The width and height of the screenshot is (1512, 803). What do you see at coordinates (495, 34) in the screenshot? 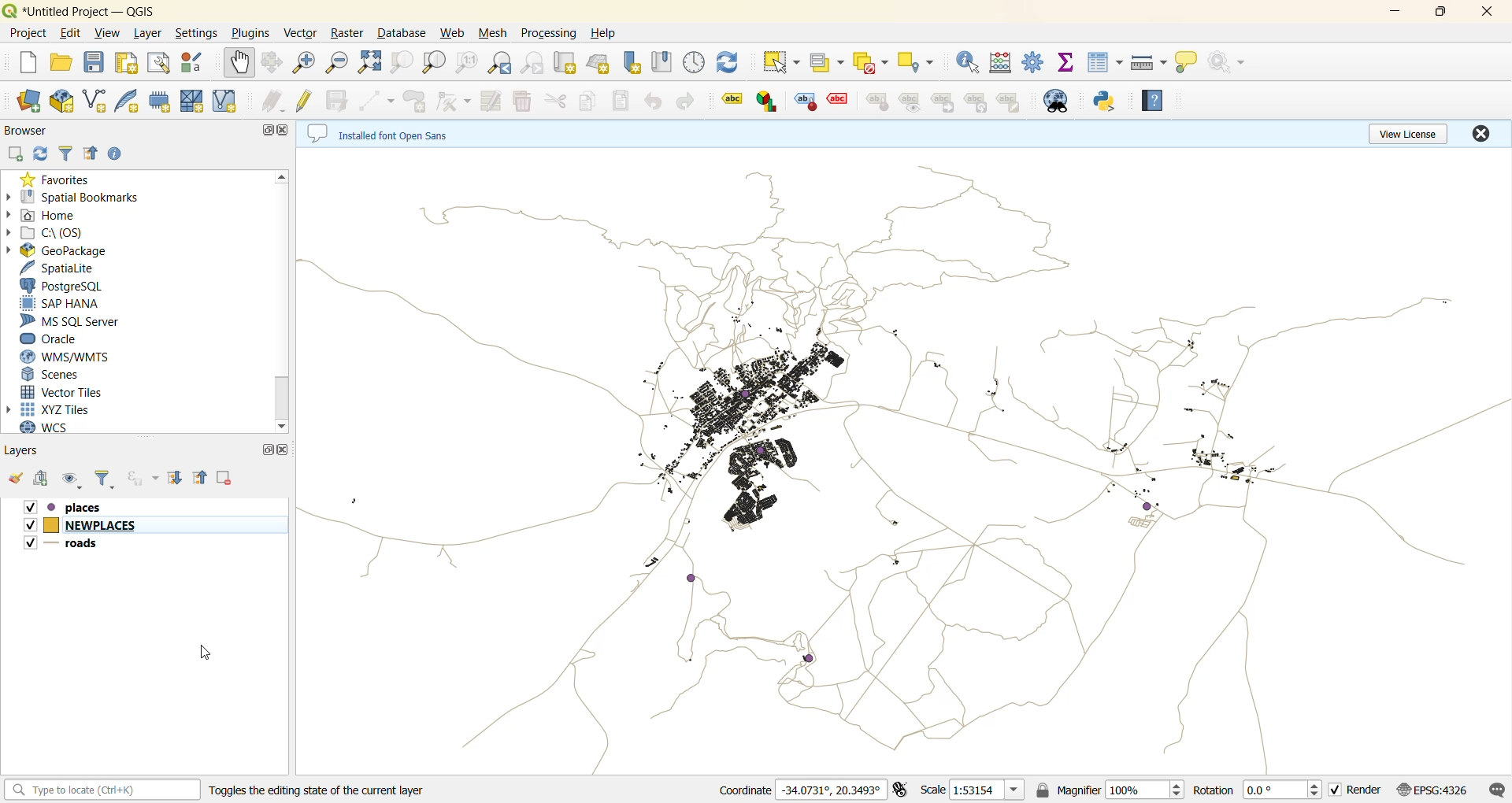
I see `mesh` at bounding box center [495, 34].